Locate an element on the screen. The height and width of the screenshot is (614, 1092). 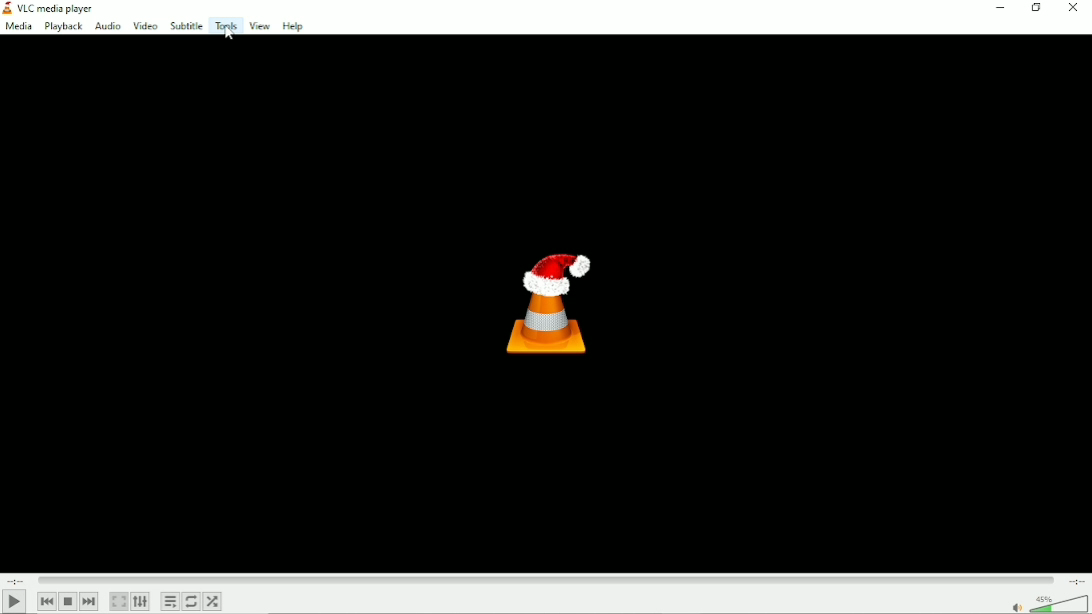
Previous is located at coordinates (47, 601).